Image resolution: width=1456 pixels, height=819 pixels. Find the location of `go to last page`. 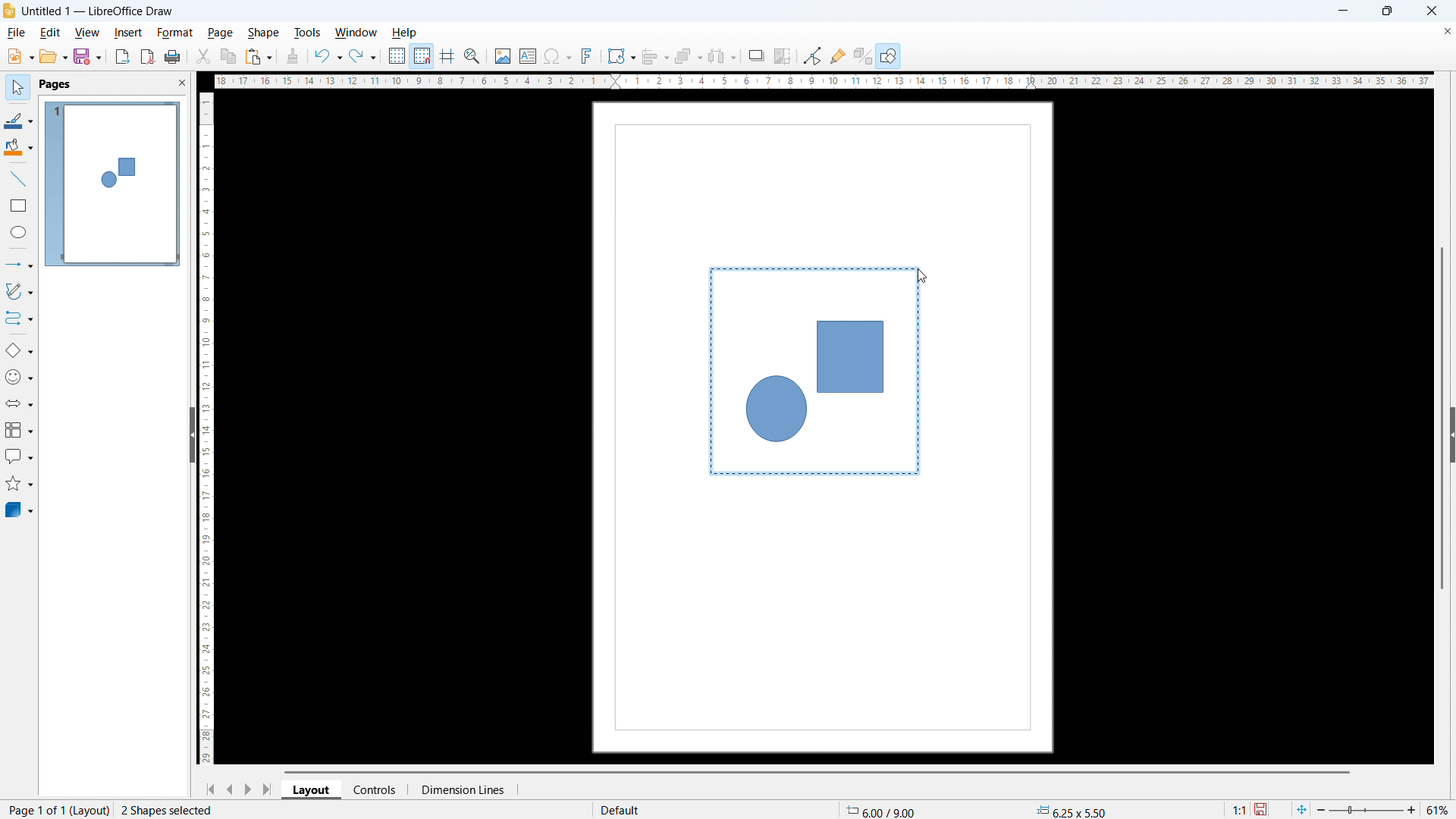

go to last page is located at coordinates (270, 790).